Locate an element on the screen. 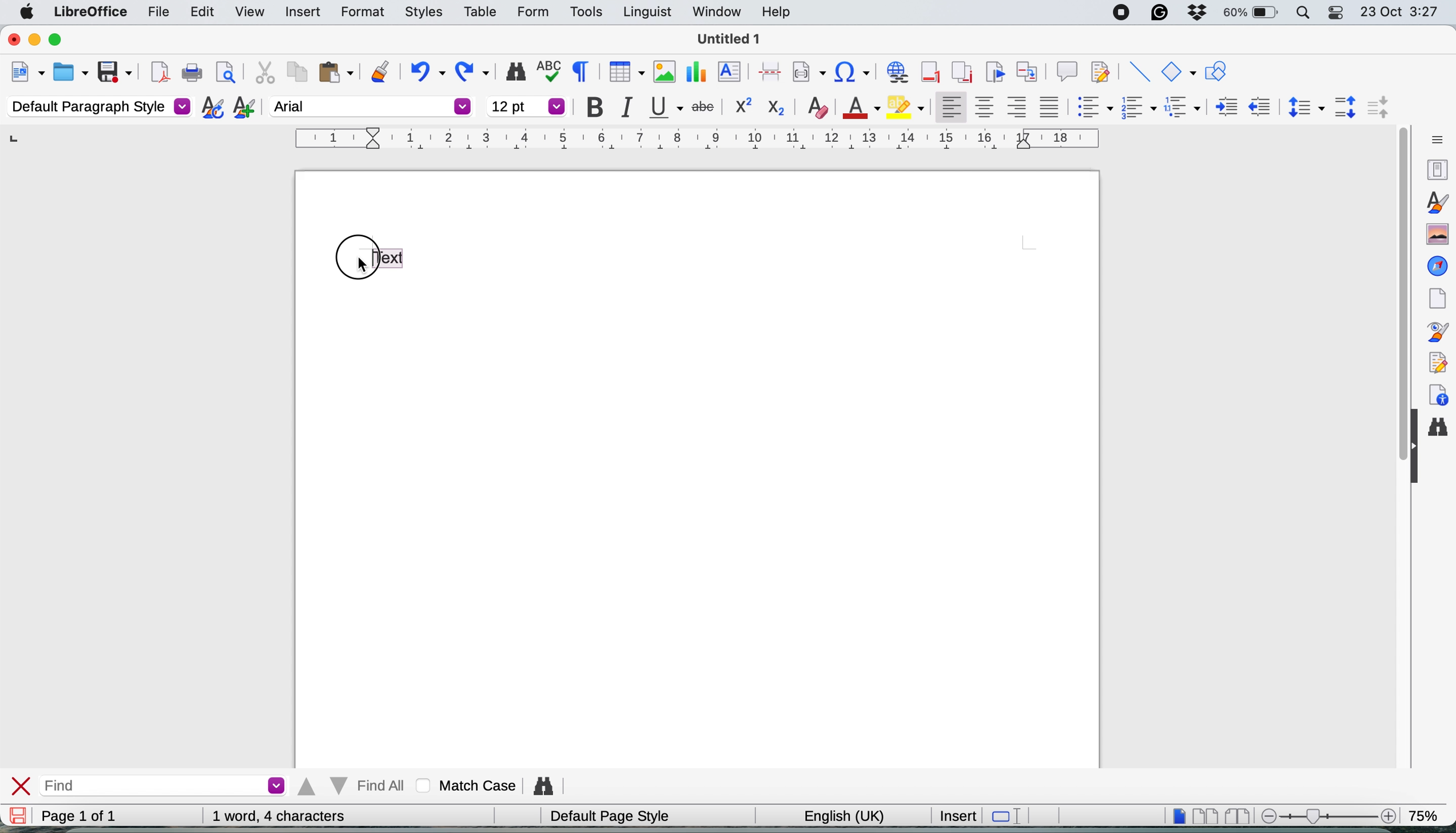  default page style is located at coordinates (607, 816).